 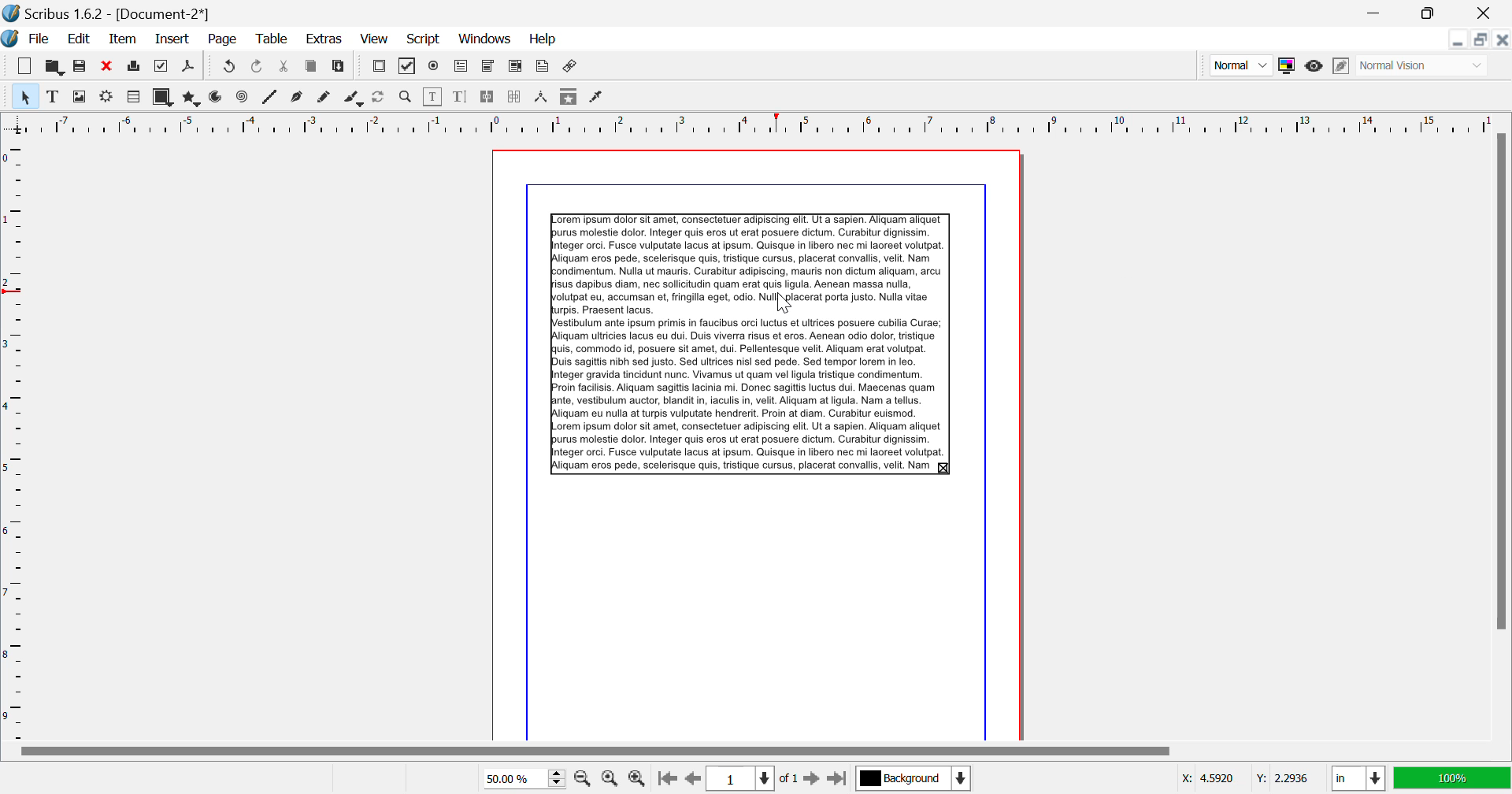 What do you see at coordinates (28, 39) in the screenshot?
I see `File` at bounding box center [28, 39].